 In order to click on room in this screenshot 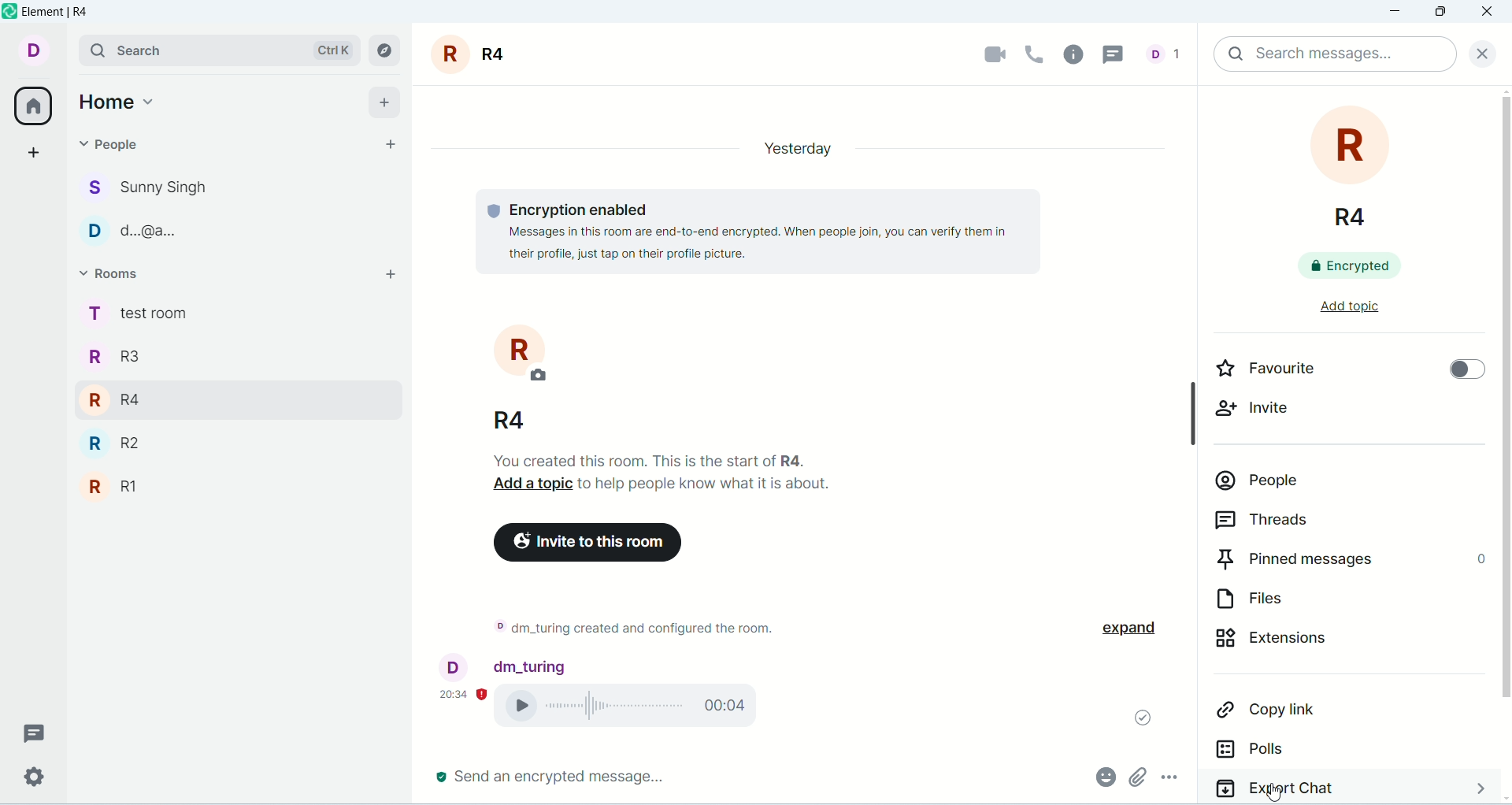, I will do `click(1354, 165)`.